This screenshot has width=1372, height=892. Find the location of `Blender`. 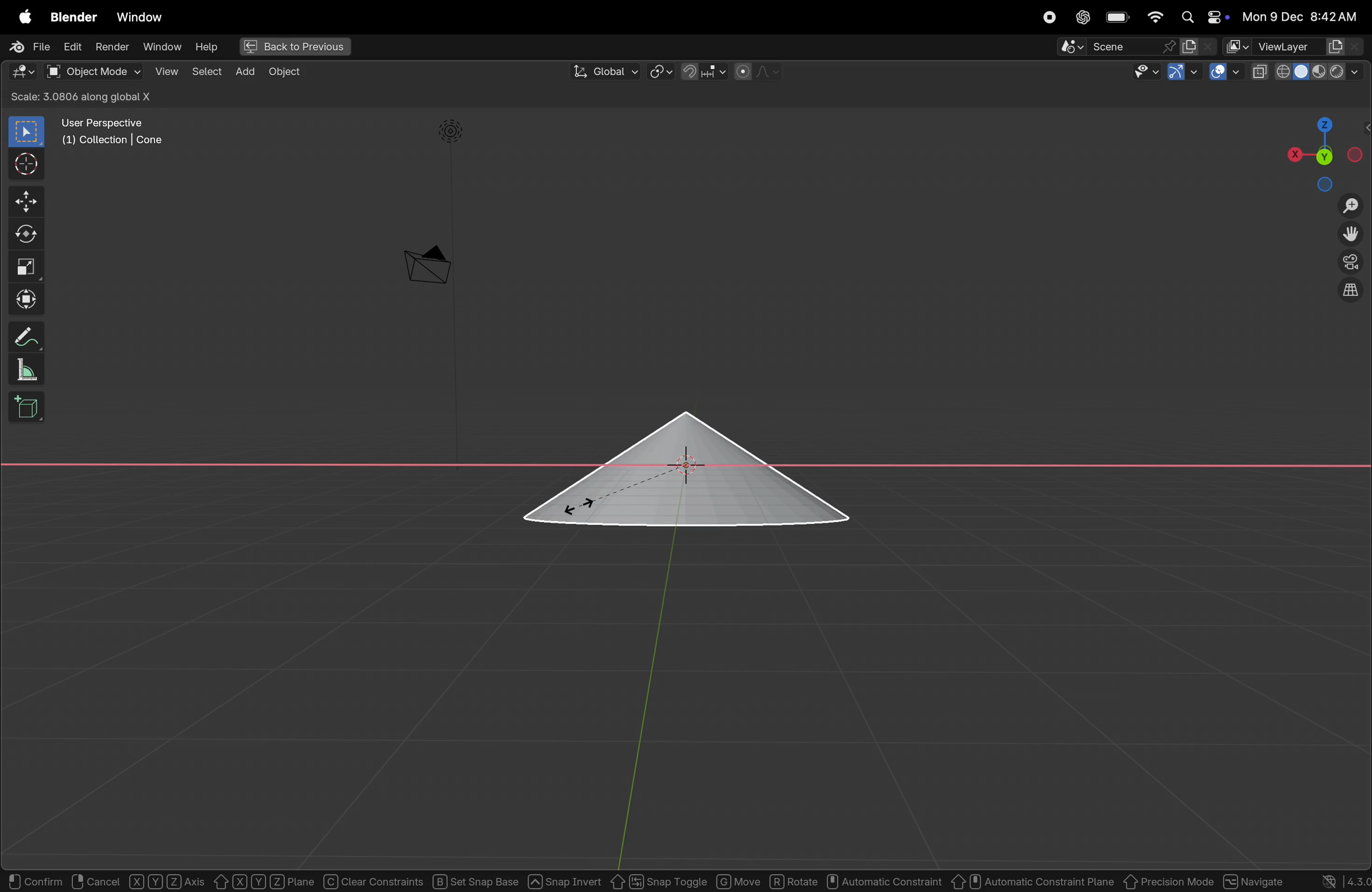

Blender is located at coordinates (75, 17).